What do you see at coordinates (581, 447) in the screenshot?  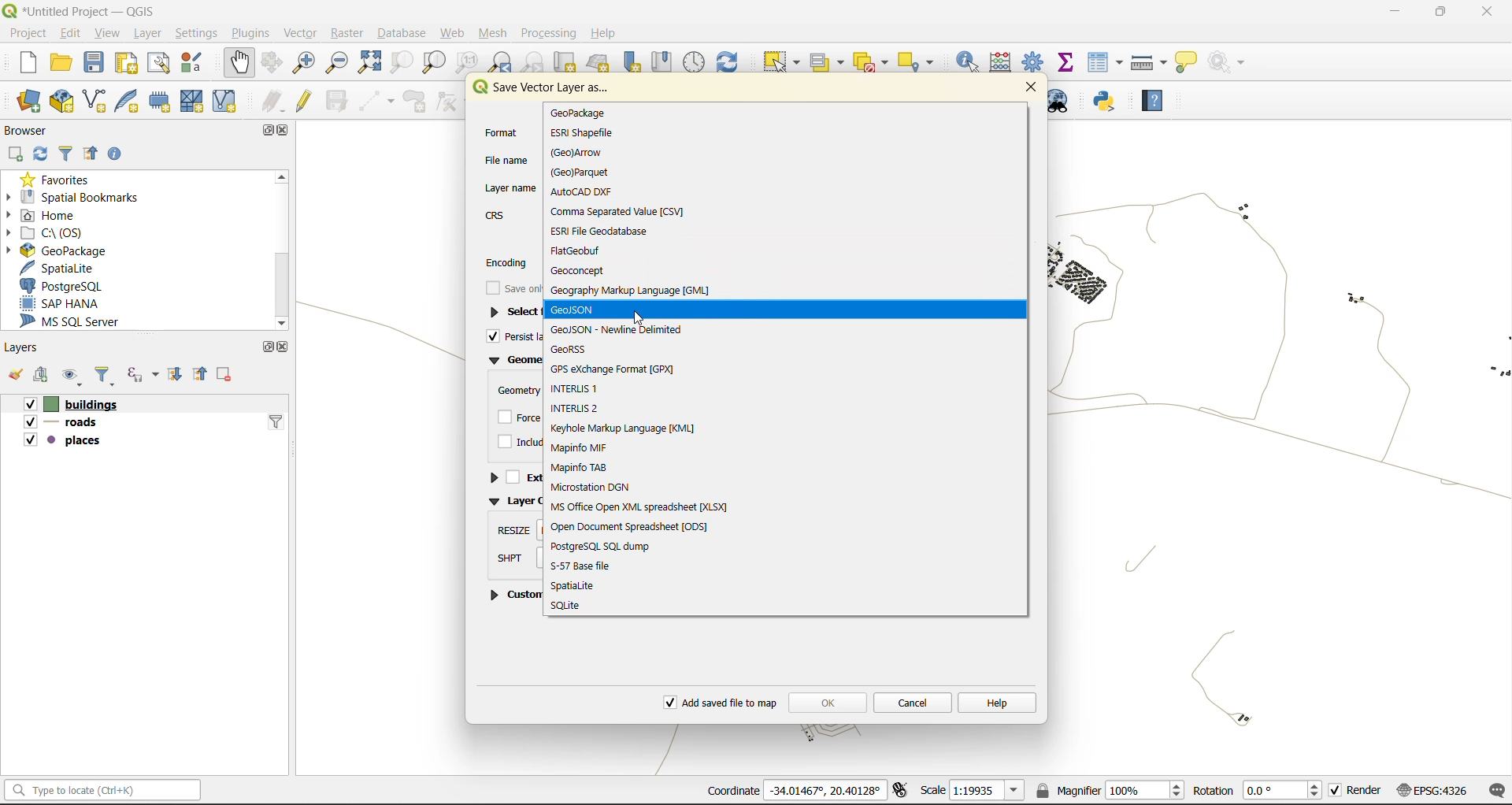 I see `mapinfo` at bounding box center [581, 447].